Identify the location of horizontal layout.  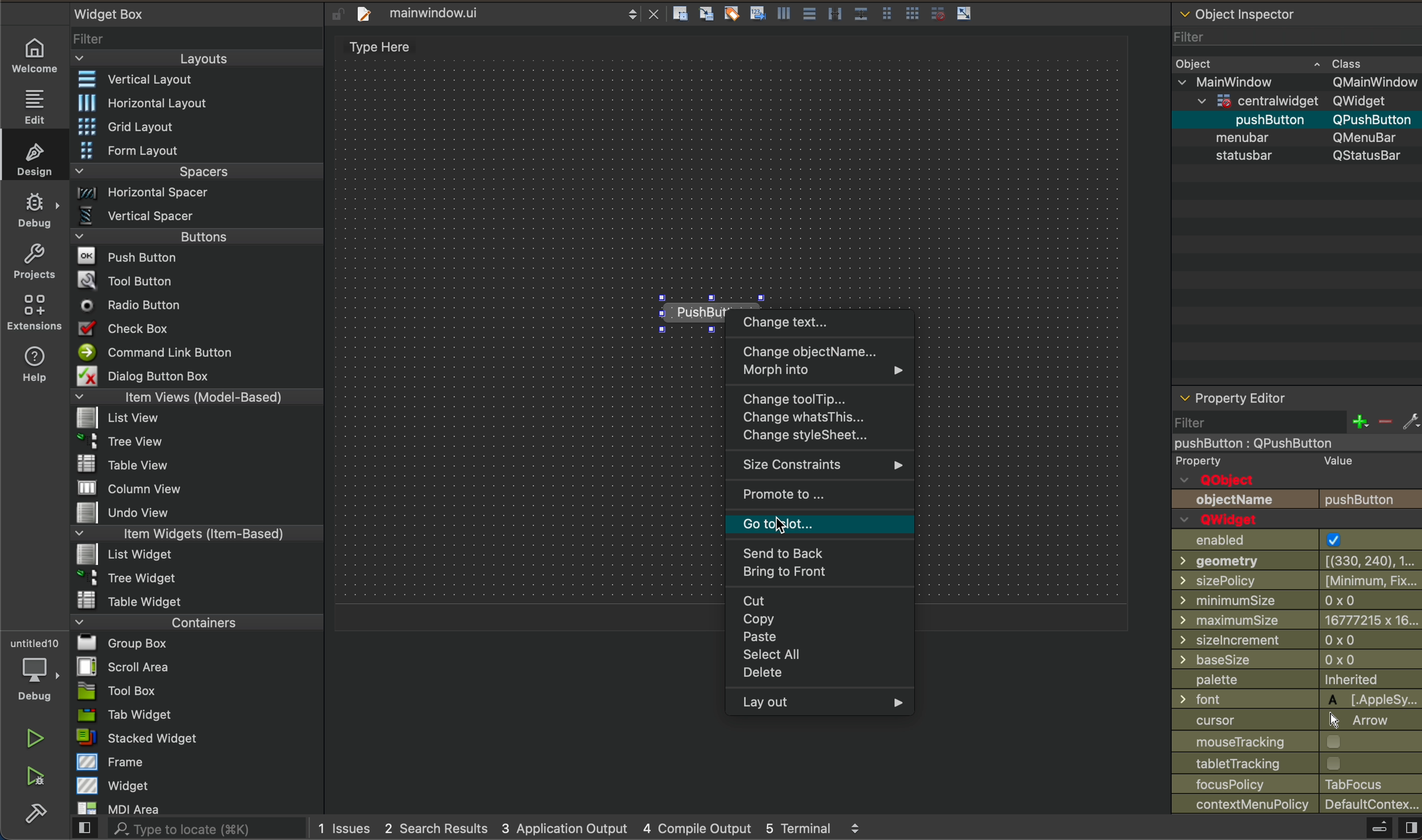
(197, 101).